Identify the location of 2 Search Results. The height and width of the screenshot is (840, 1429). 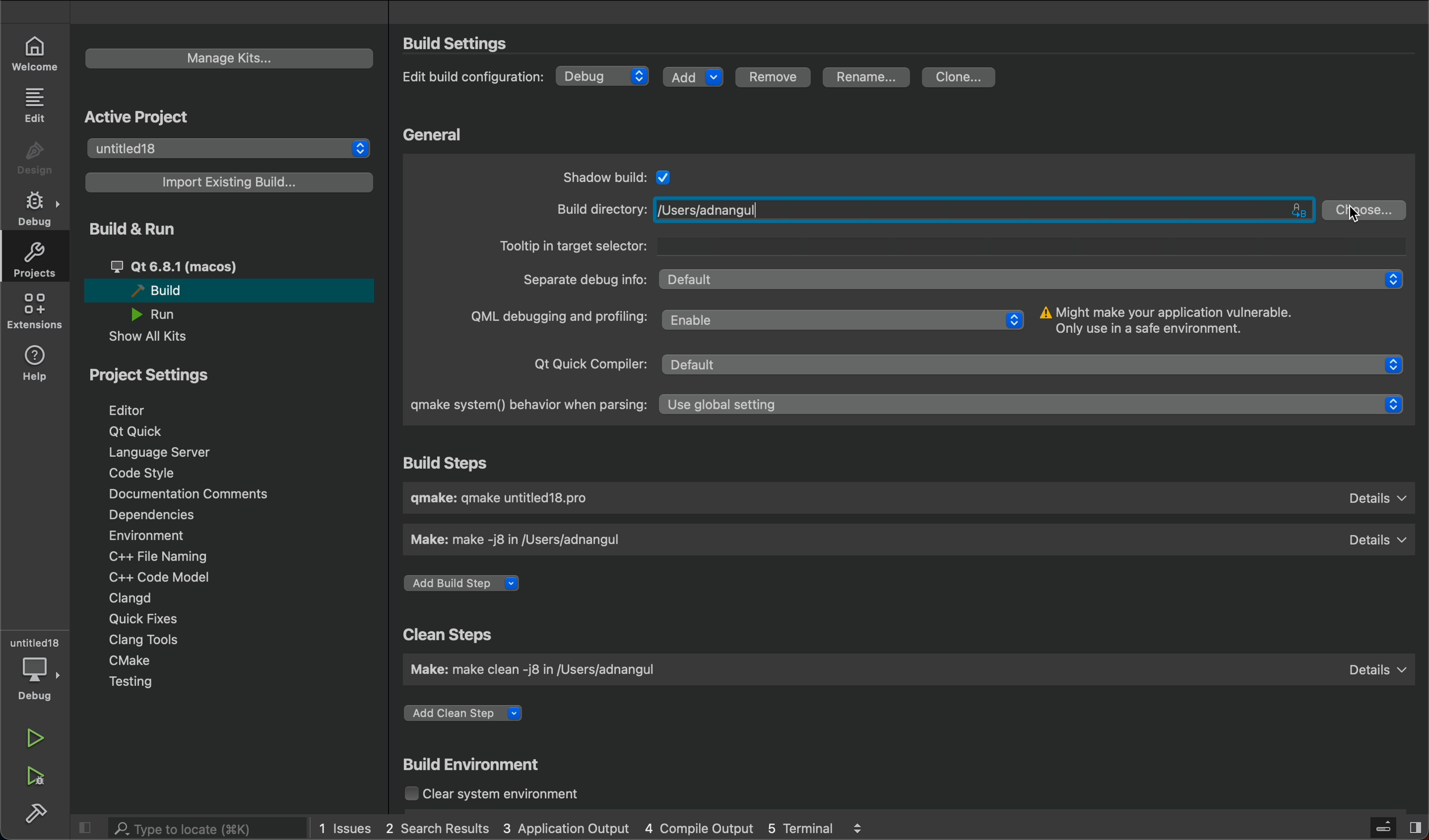
(436, 826).